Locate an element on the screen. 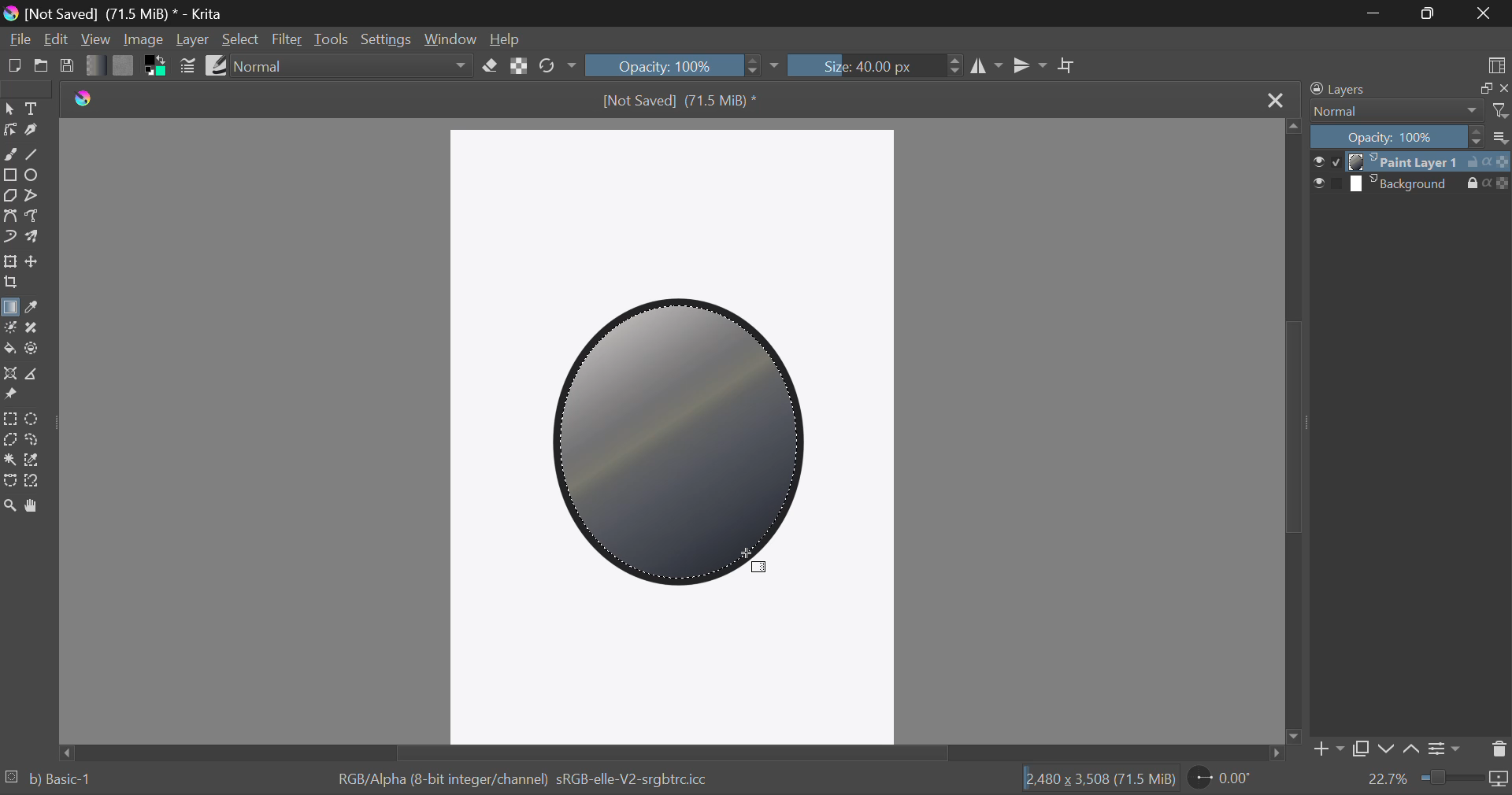  Window is located at coordinates (452, 42).